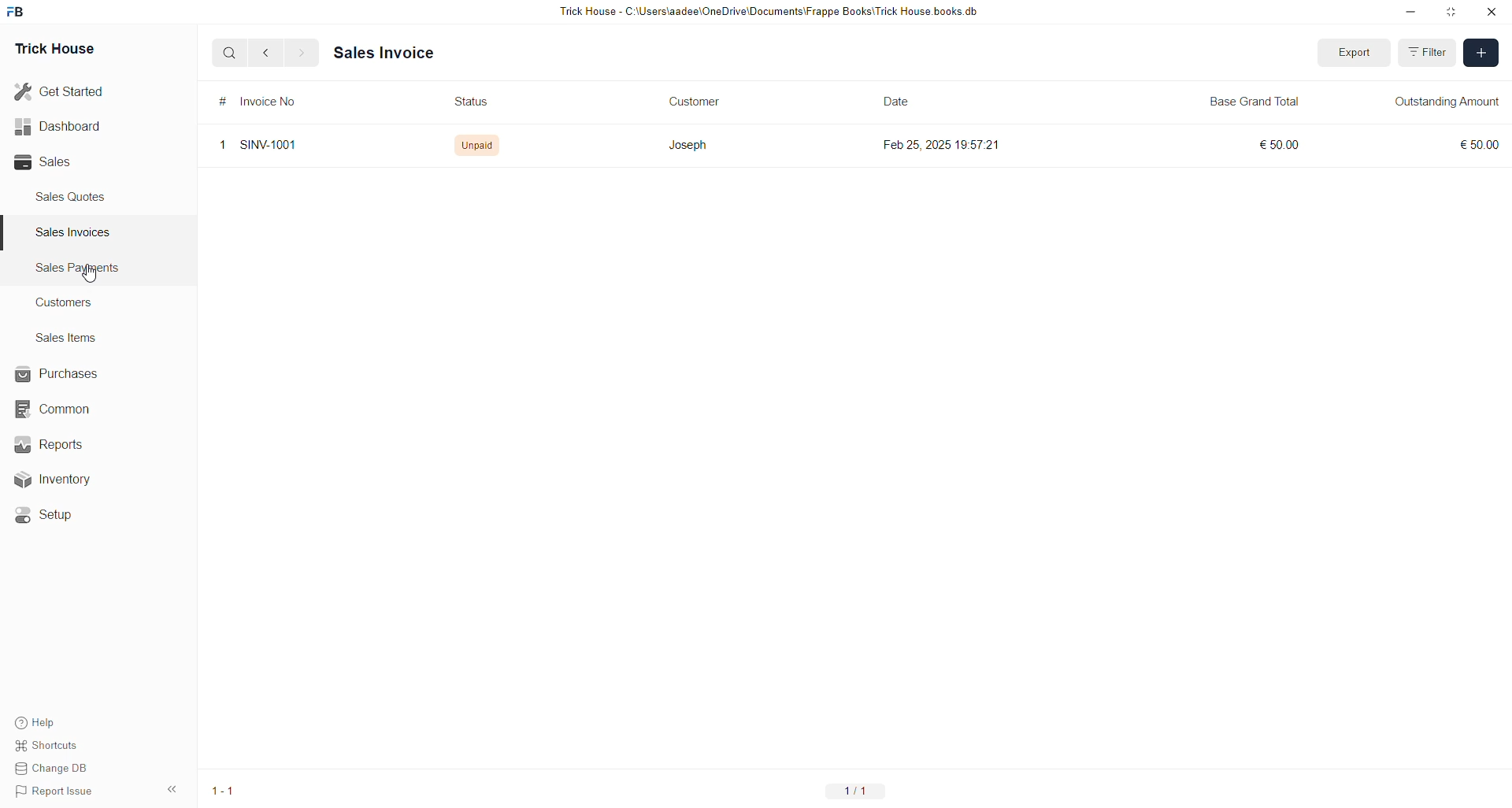 The width and height of the screenshot is (1512, 808). Describe the element at coordinates (1280, 146) in the screenshot. I see `€50.00` at that location.